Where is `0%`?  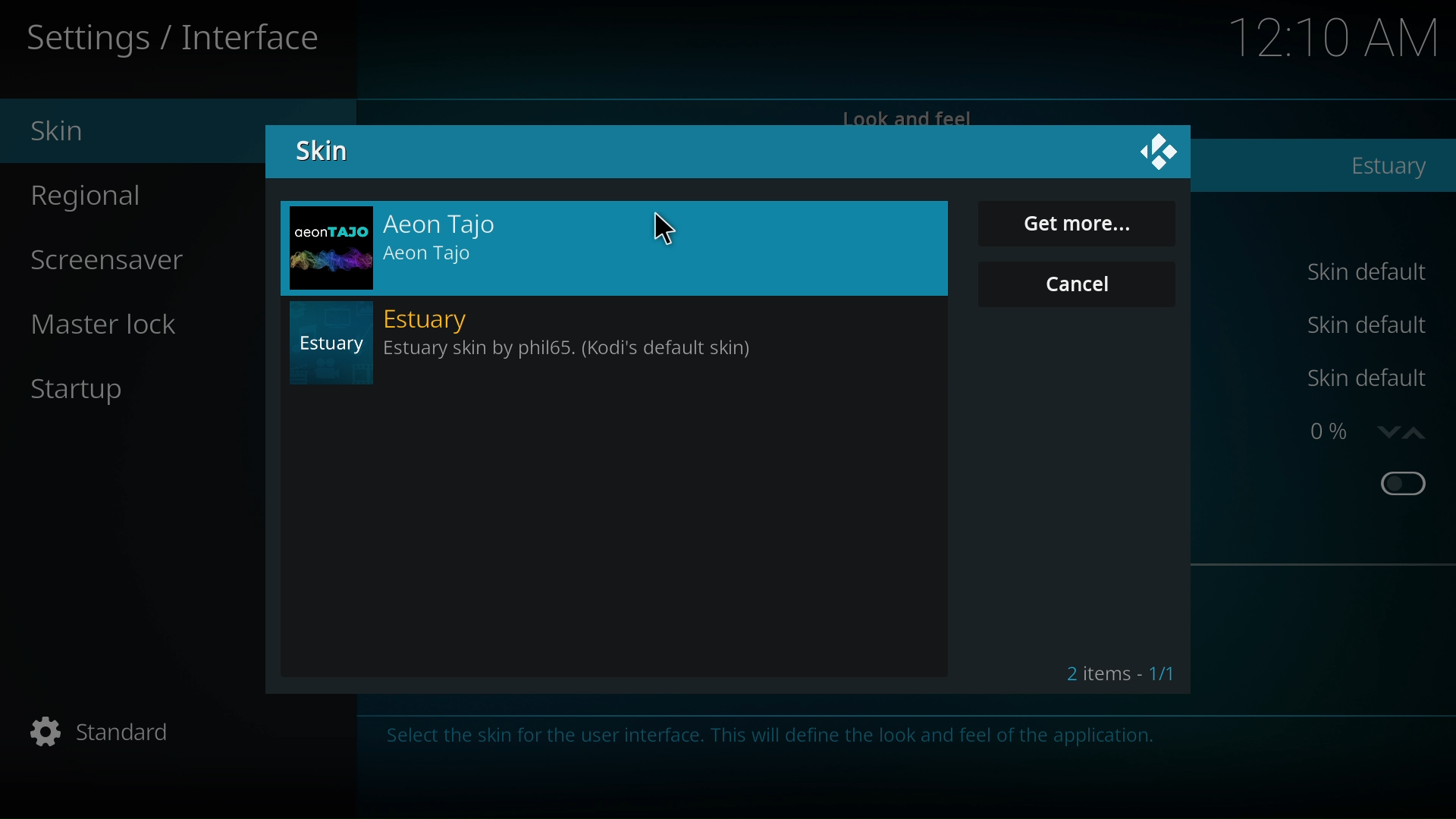 0% is located at coordinates (1330, 431).